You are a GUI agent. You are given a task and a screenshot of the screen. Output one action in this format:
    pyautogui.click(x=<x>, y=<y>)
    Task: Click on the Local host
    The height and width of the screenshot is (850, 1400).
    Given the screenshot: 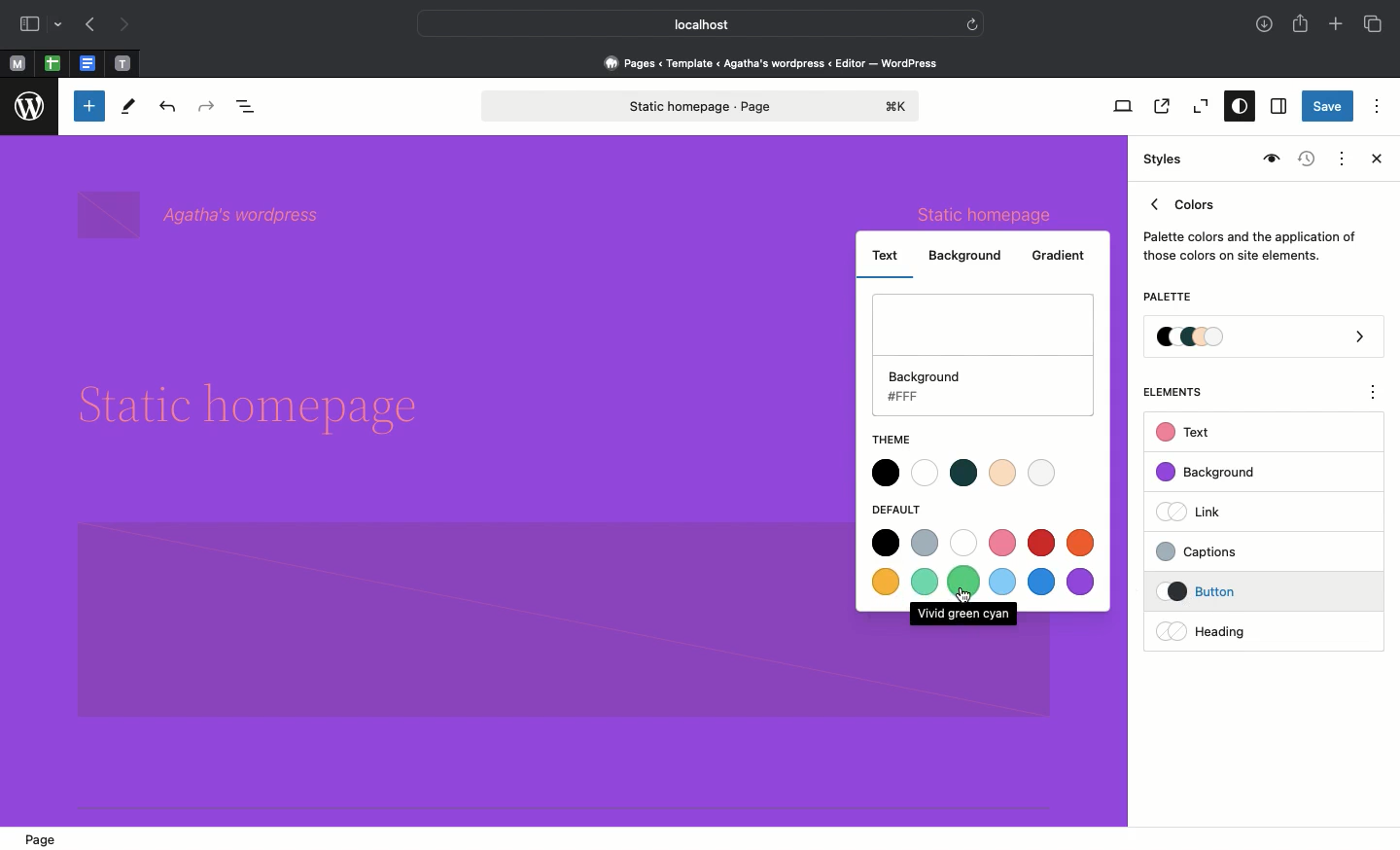 What is the action you would take?
    pyautogui.click(x=686, y=23)
    